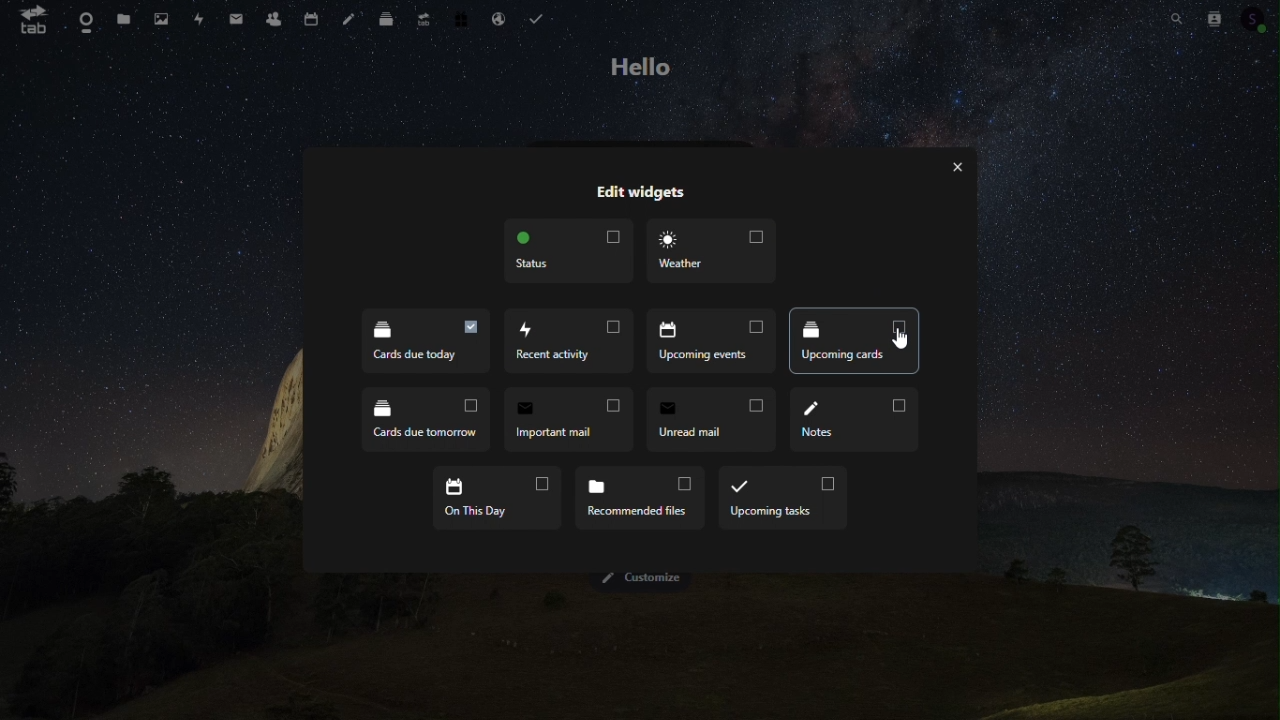  What do you see at coordinates (235, 18) in the screenshot?
I see `mail` at bounding box center [235, 18].